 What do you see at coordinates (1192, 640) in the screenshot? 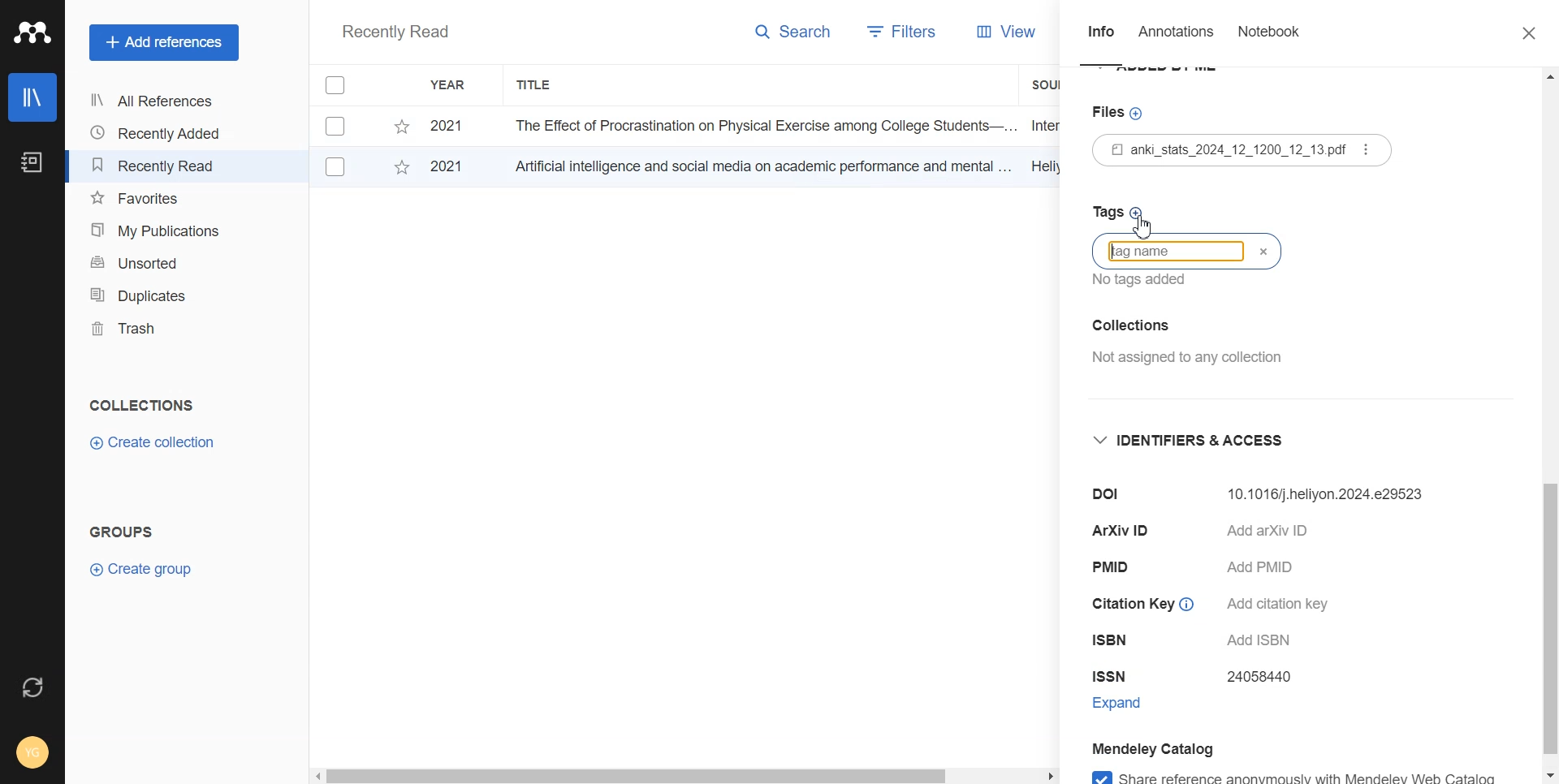
I see `ISBN Add ISBN` at bounding box center [1192, 640].